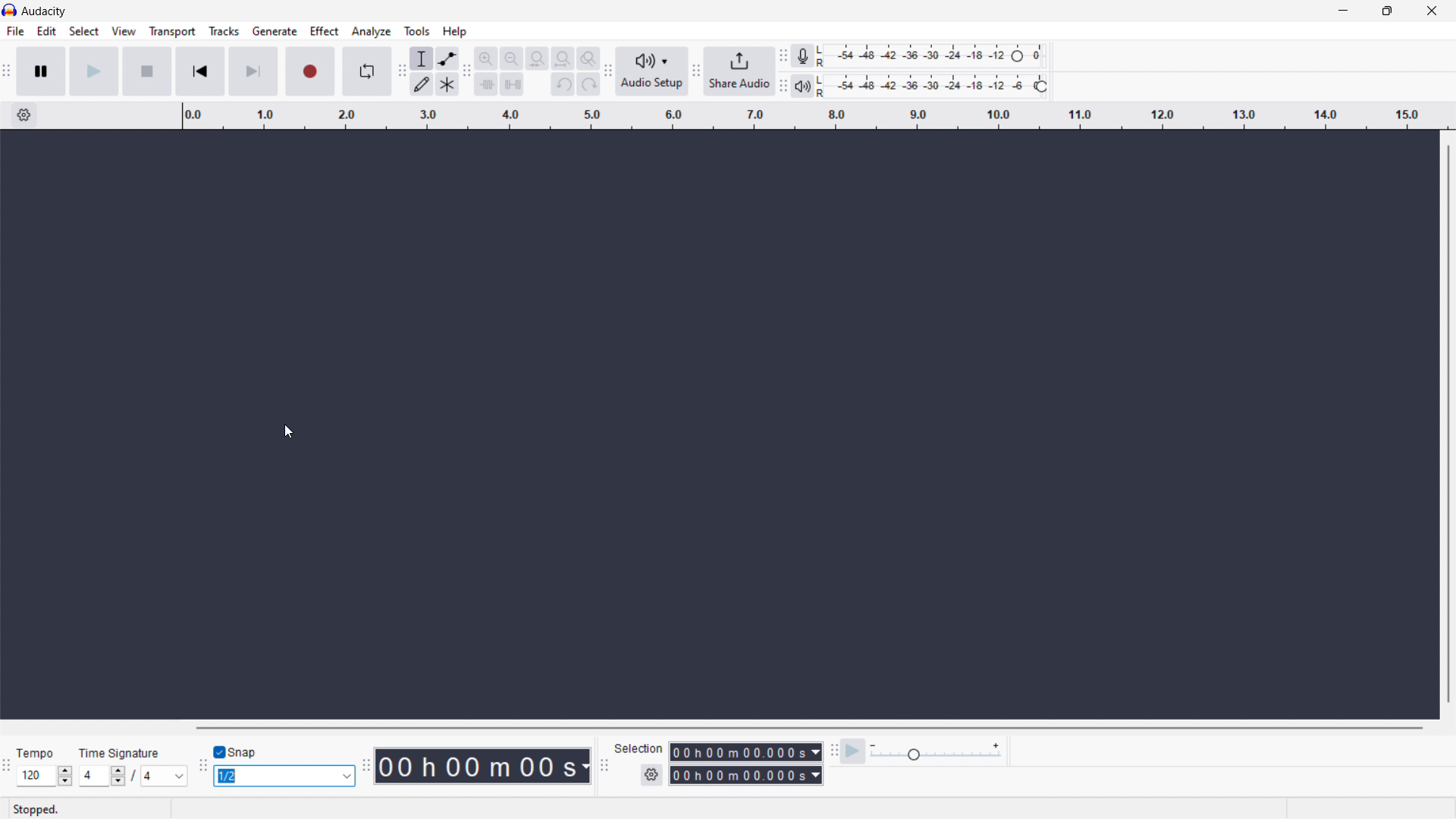 This screenshot has width=1456, height=819. Describe the element at coordinates (652, 71) in the screenshot. I see `Audio setup` at that location.